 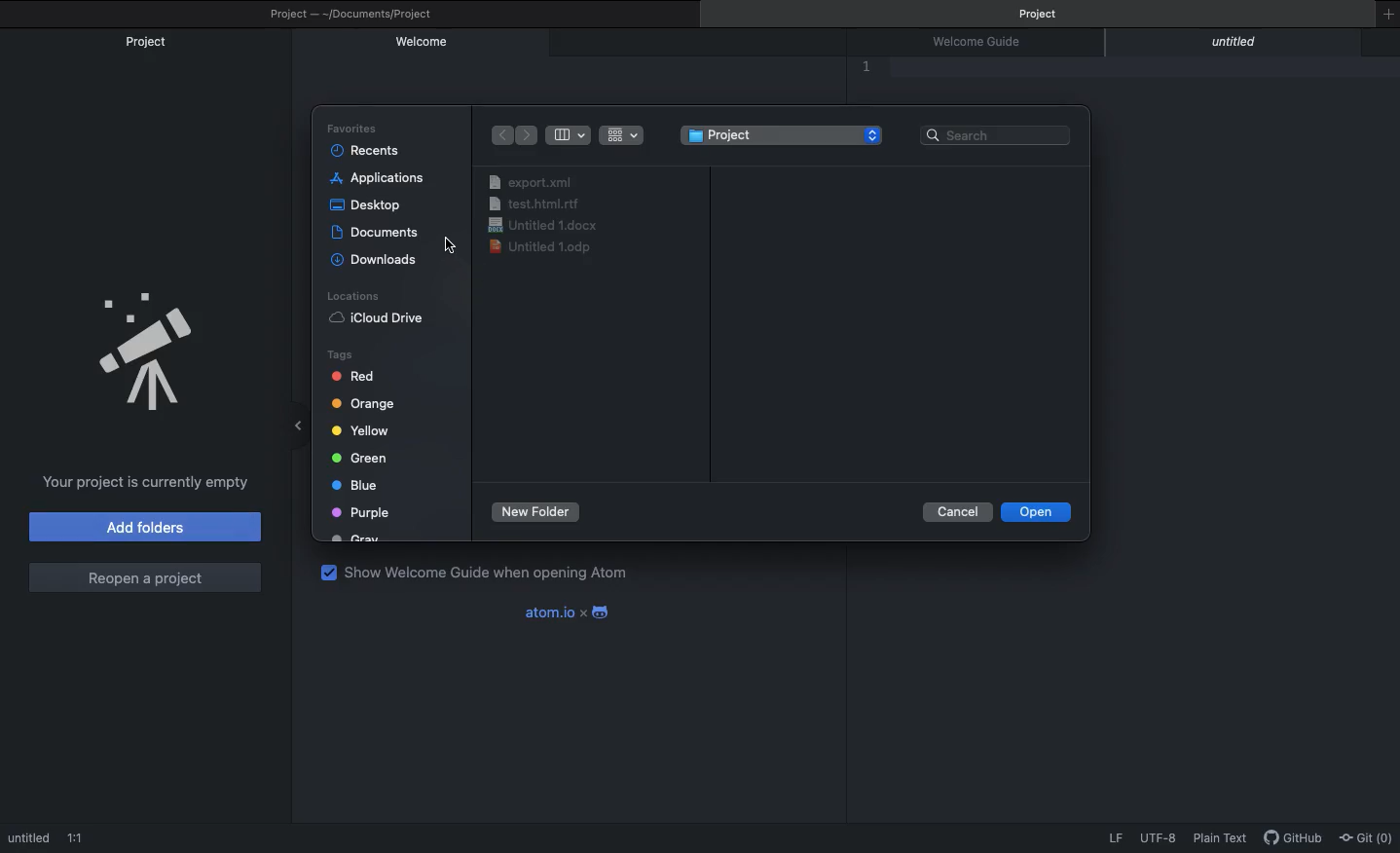 What do you see at coordinates (145, 527) in the screenshot?
I see `Add folders` at bounding box center [145, 527].